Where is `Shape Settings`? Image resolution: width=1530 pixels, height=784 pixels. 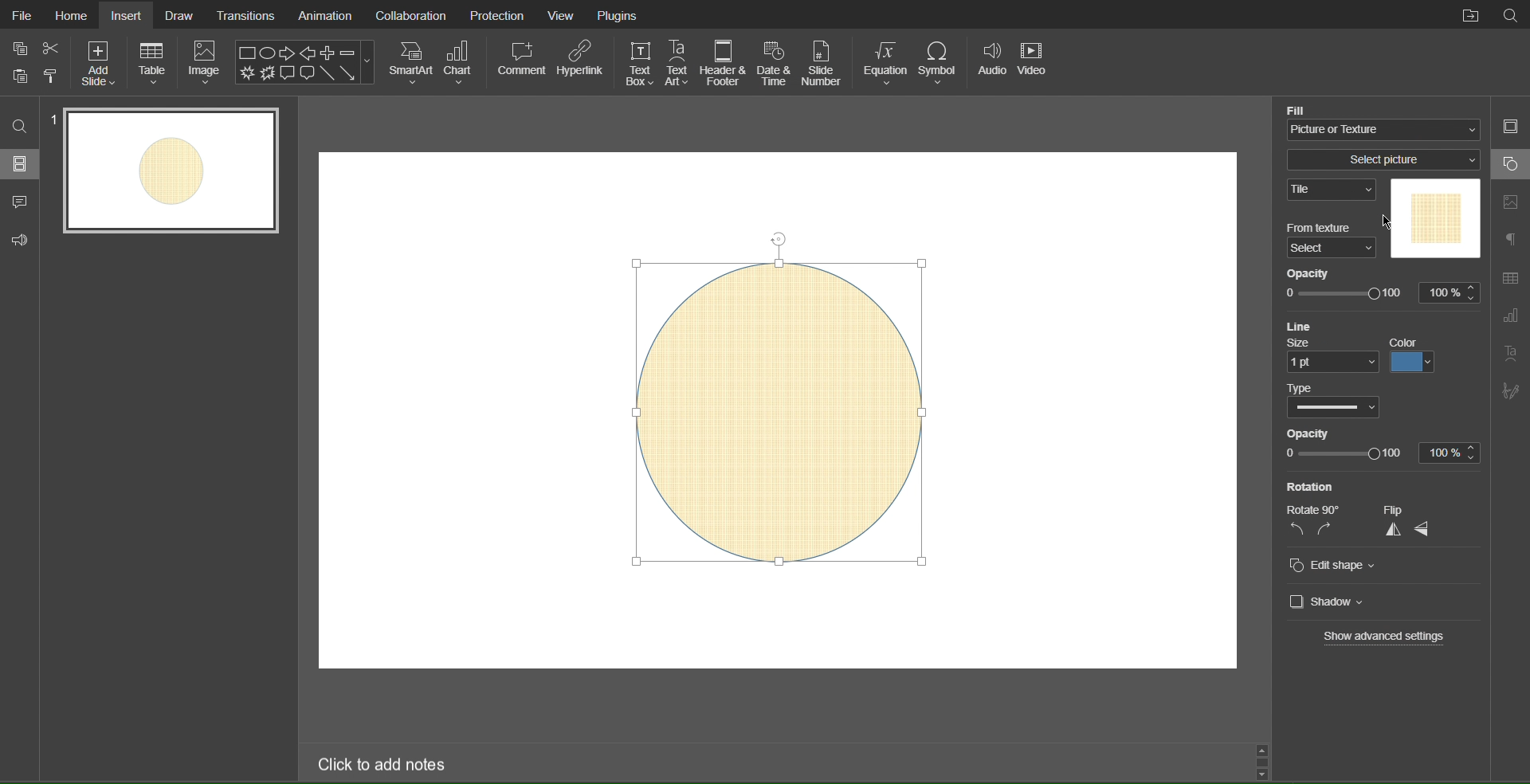
Shape Settings is located at coordinates (1509, 165).